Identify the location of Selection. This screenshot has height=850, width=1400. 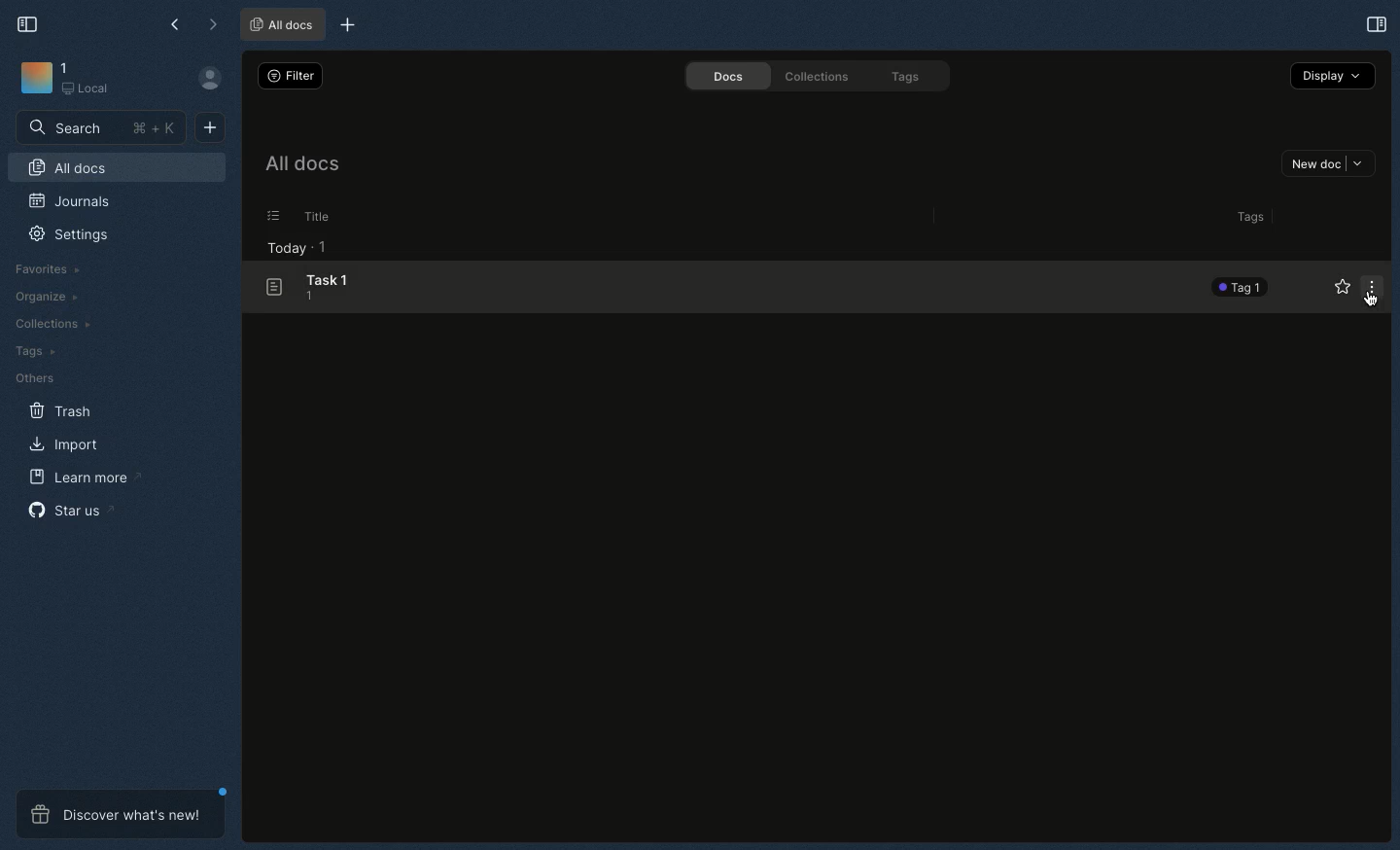
(266, 217).